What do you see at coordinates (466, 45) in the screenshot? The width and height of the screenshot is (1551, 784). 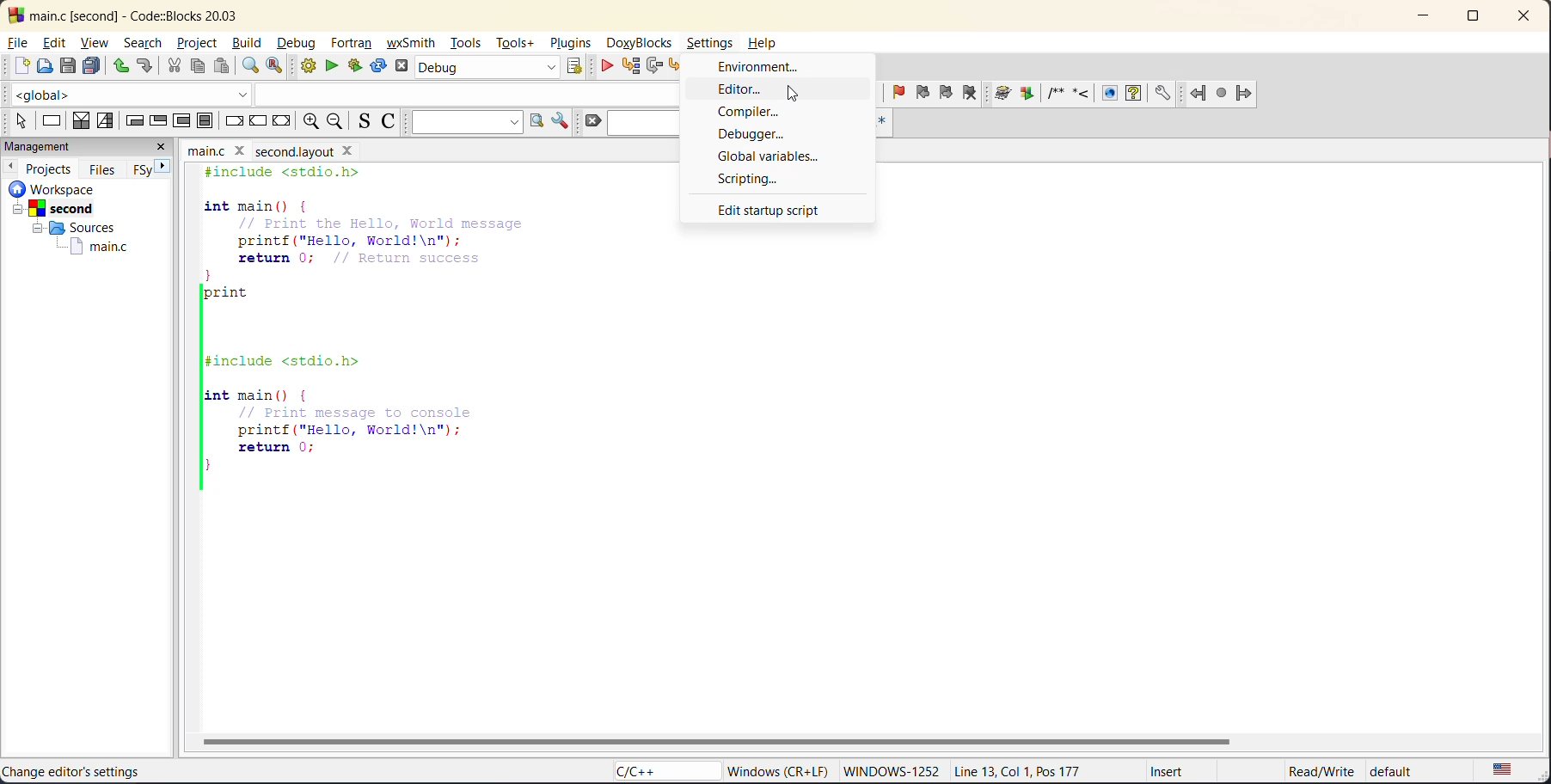 I see `tools` at bounding box center [466, 45].